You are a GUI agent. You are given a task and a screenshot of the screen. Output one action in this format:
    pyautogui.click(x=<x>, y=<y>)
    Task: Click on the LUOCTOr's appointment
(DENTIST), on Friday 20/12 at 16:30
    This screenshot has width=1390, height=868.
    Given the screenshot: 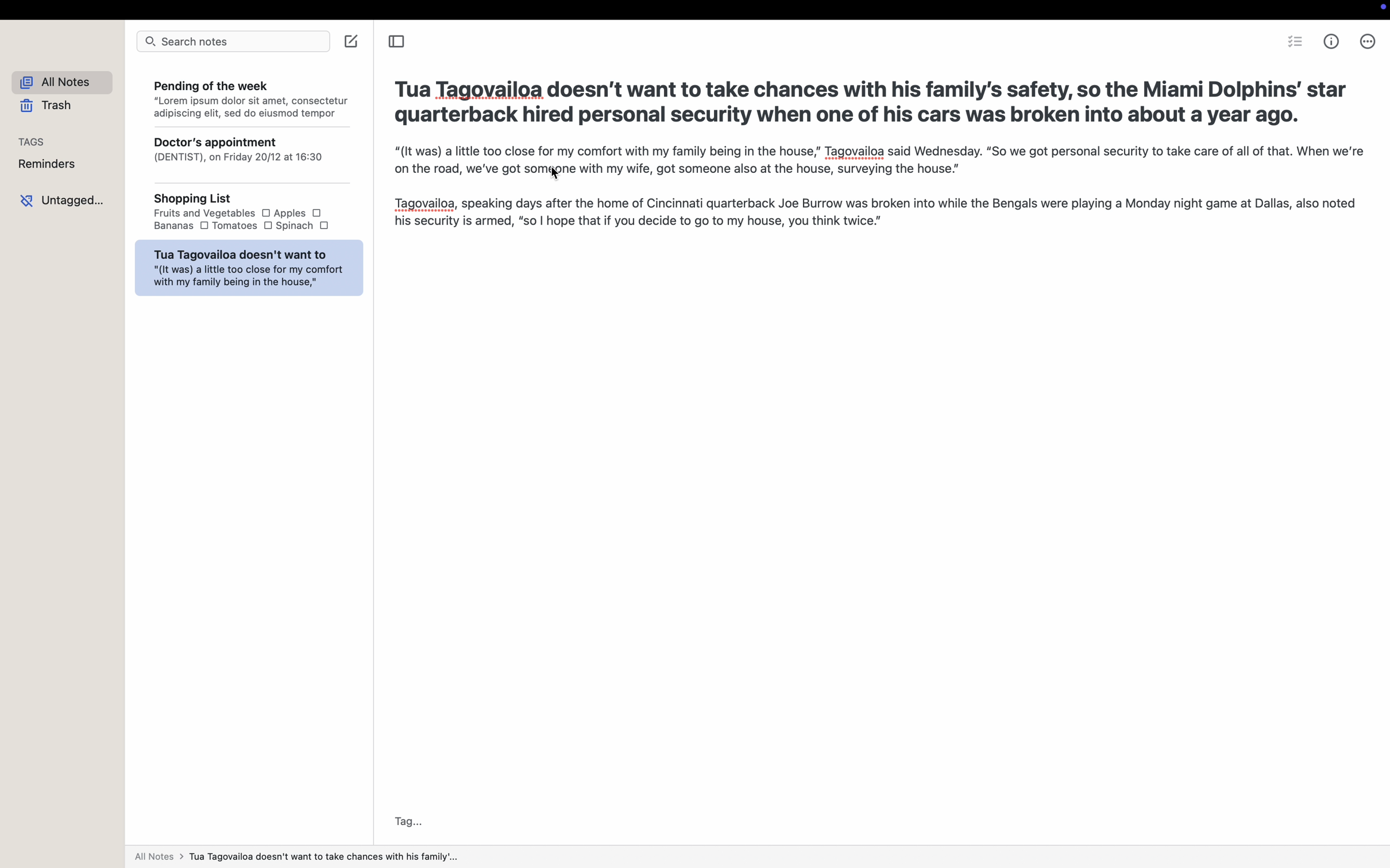 What is the action you would take?
    pyautogui.click(x=248, y=157)
    